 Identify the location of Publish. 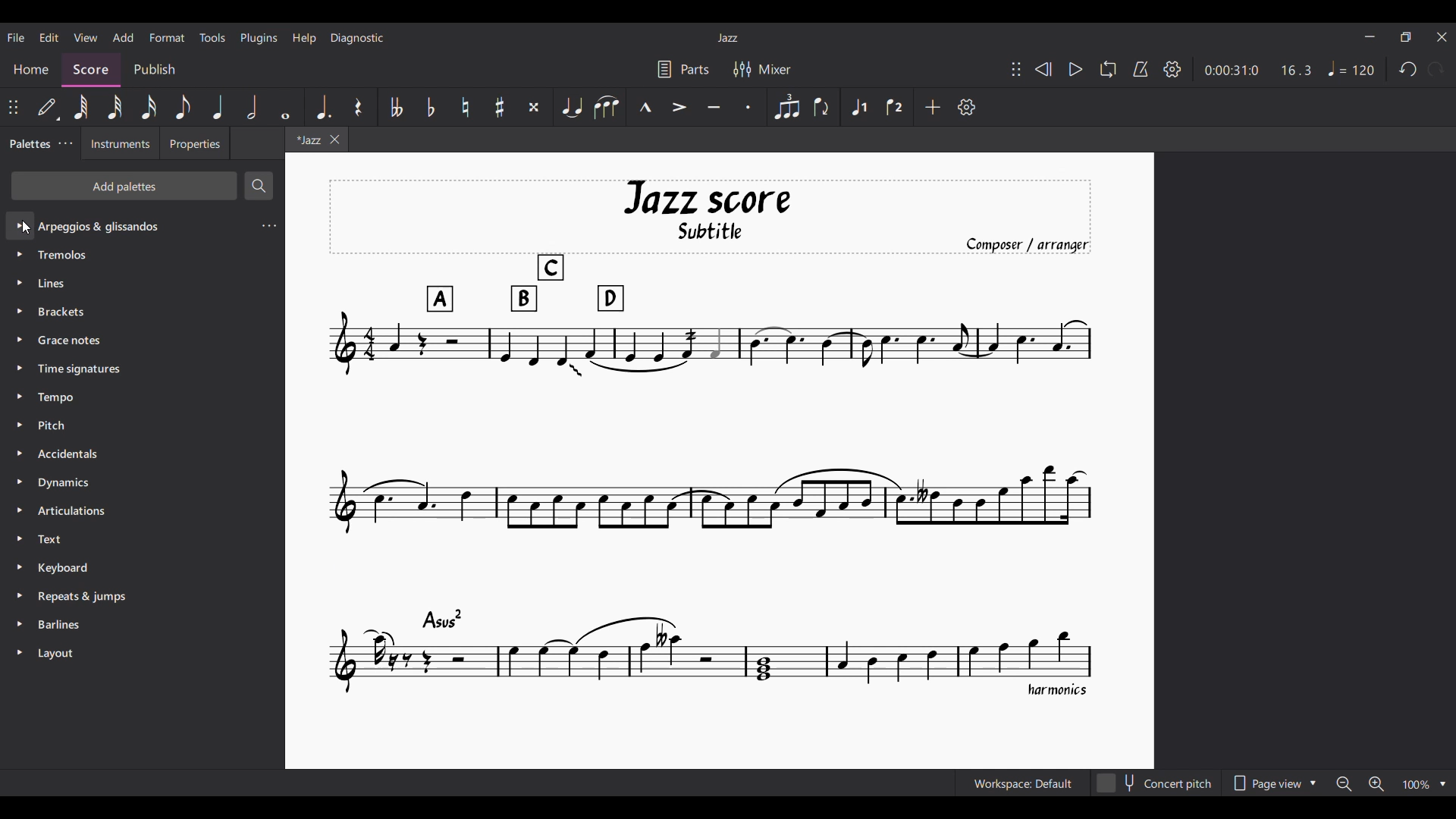
(154, 71).